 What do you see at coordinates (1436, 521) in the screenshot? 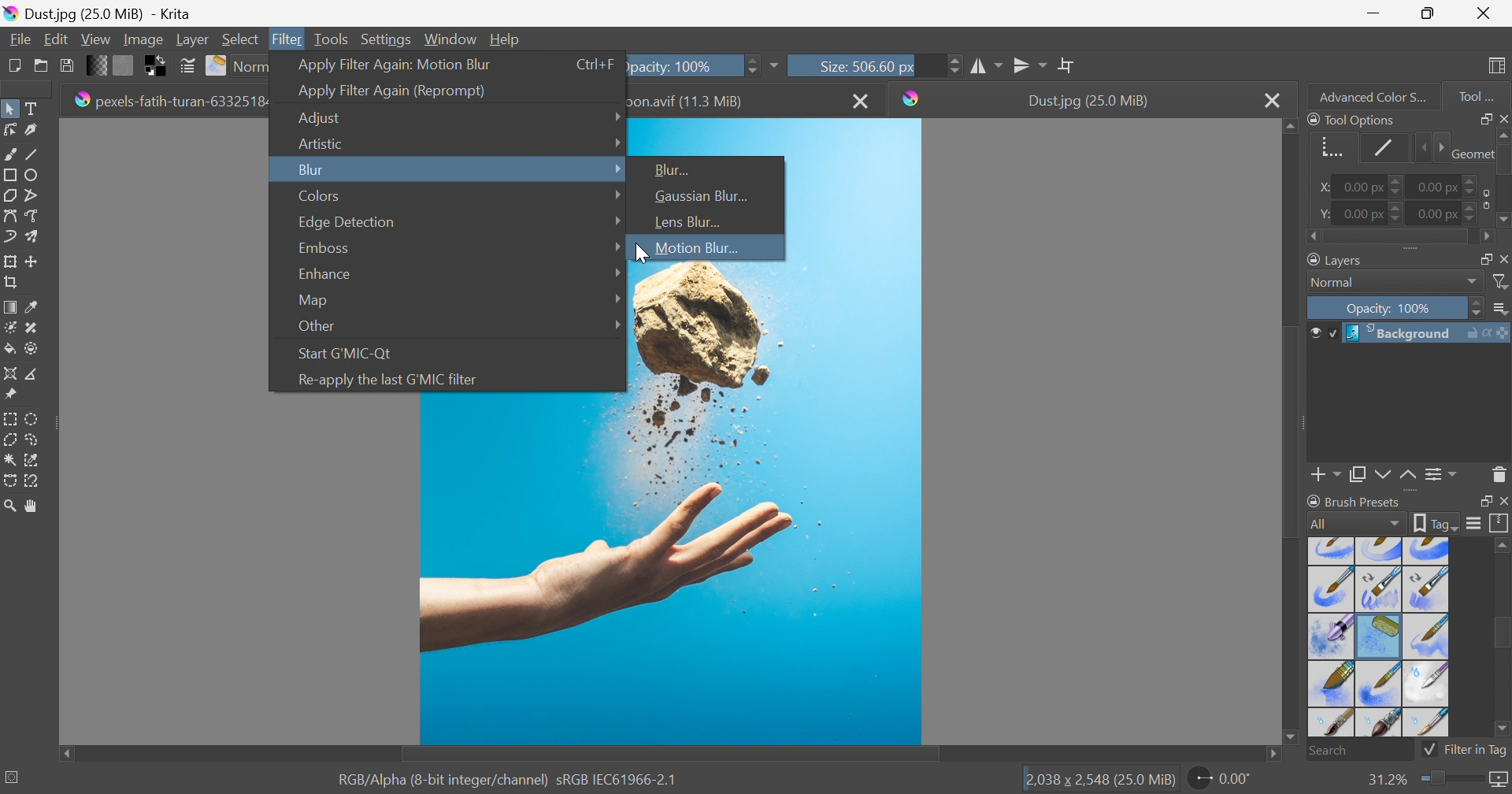
I see `Show the tag box options` at bounding box center [1436, 521].